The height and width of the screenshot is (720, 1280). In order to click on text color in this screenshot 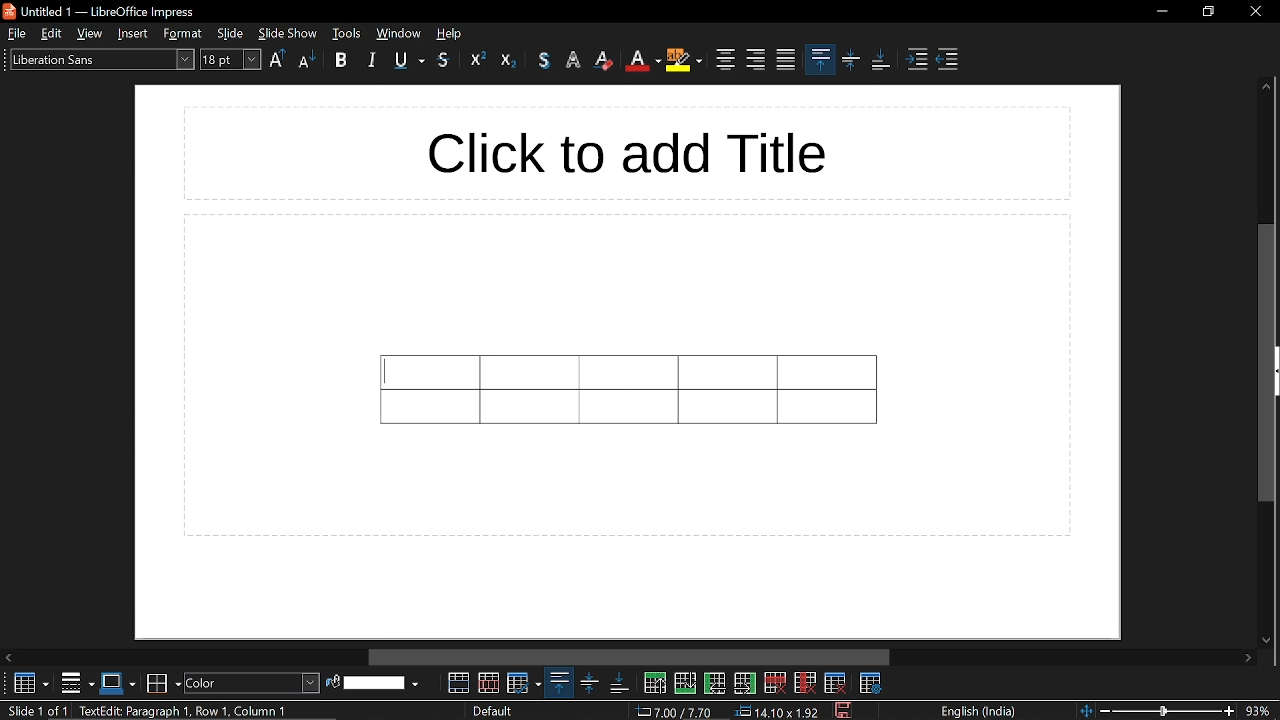, I will do `click(643, 61)`.